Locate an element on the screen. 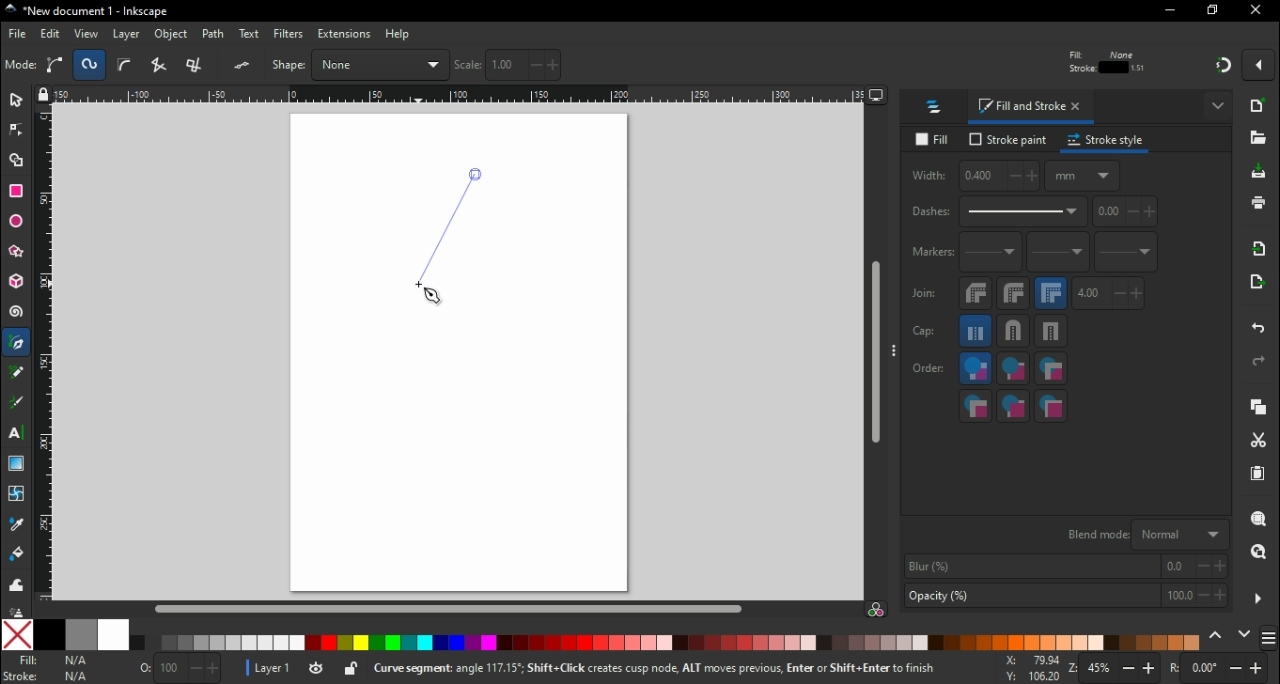 The height and width of the screenshot is (684, 1280). 3D box tool is located at coordinates (16, 284).